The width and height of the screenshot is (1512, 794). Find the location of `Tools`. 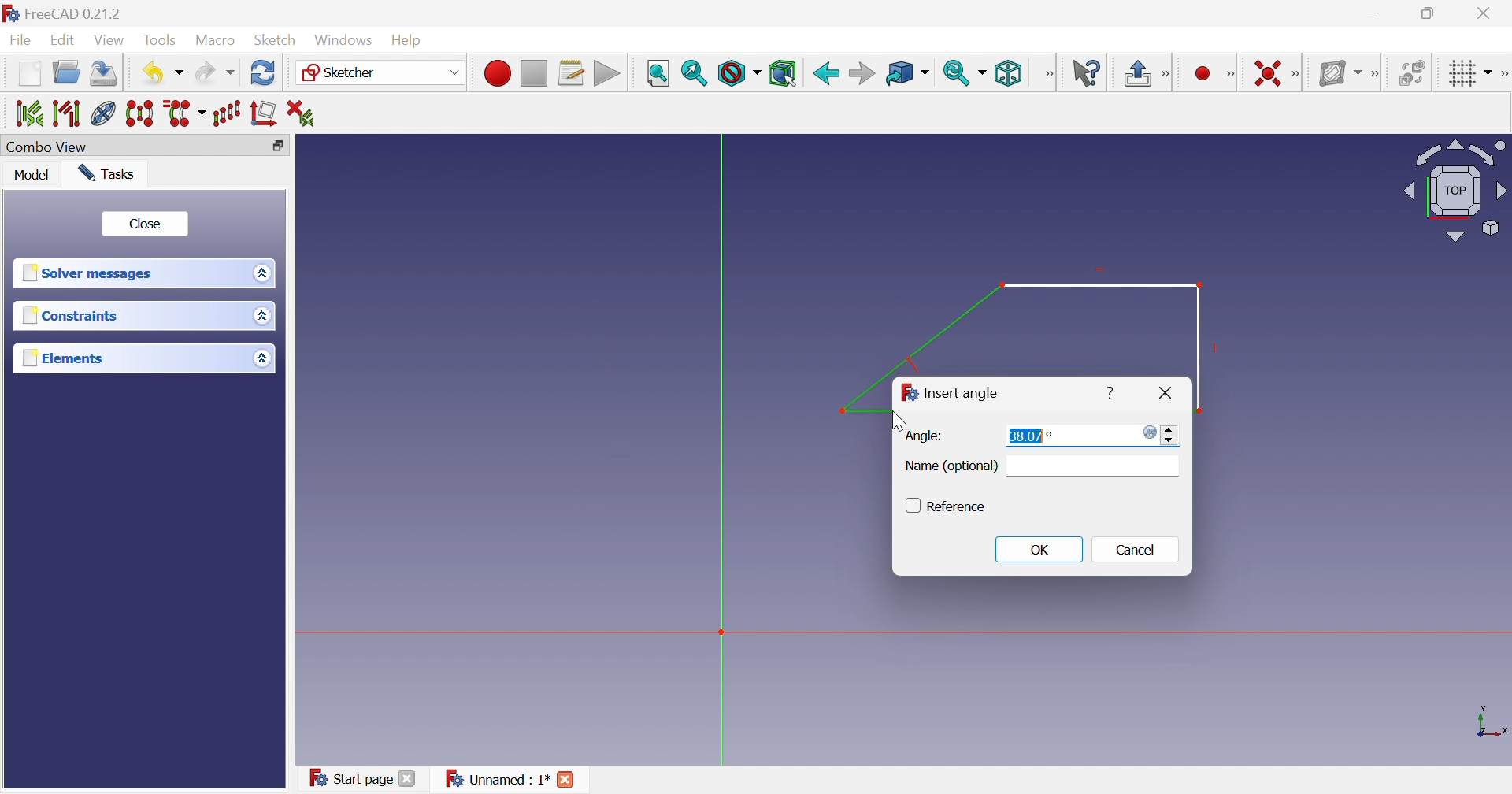

Tools is located at coordinates (162, 39).